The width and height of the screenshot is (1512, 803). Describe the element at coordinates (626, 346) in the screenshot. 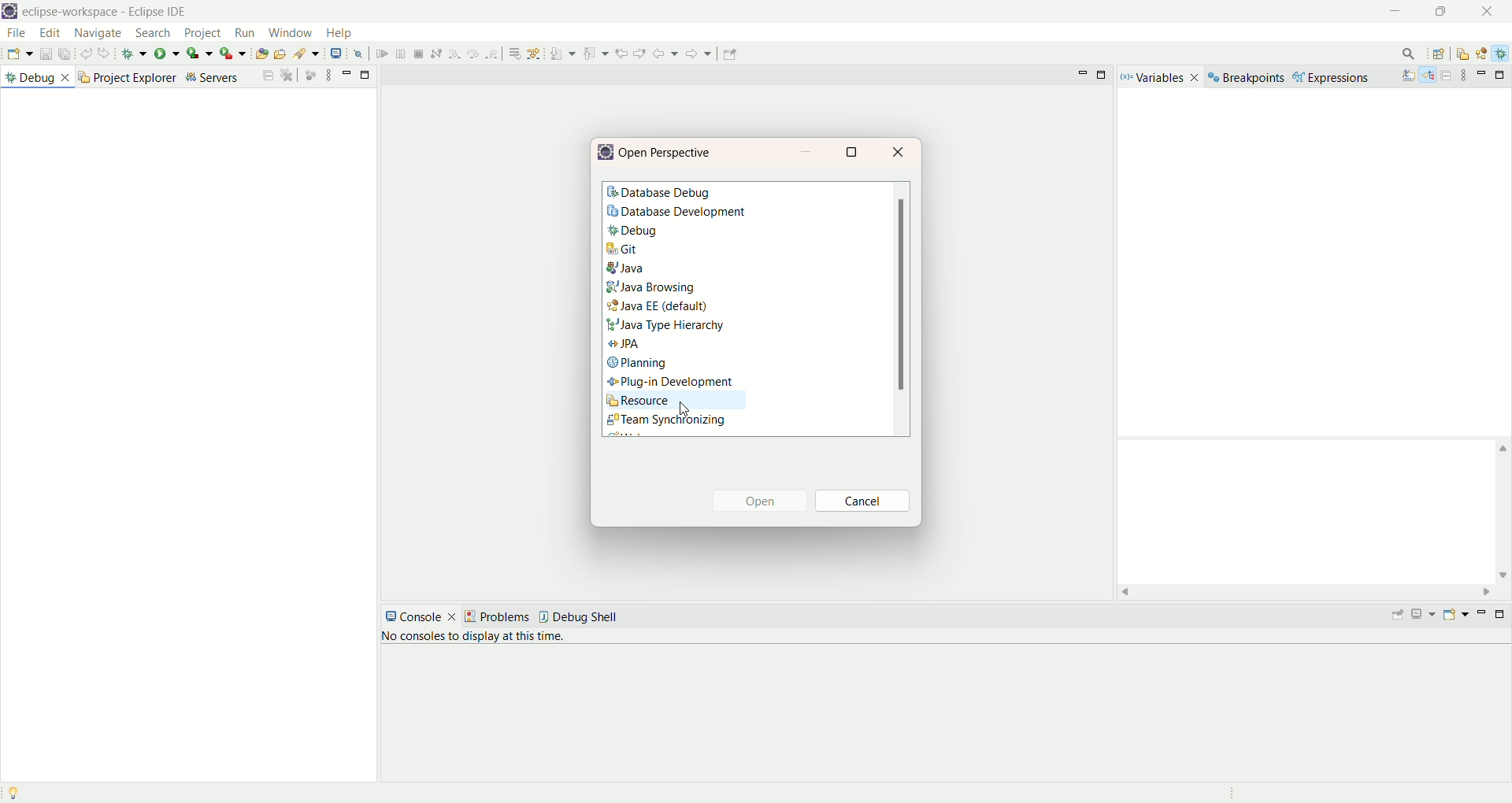

I see `JPA ` at that location.